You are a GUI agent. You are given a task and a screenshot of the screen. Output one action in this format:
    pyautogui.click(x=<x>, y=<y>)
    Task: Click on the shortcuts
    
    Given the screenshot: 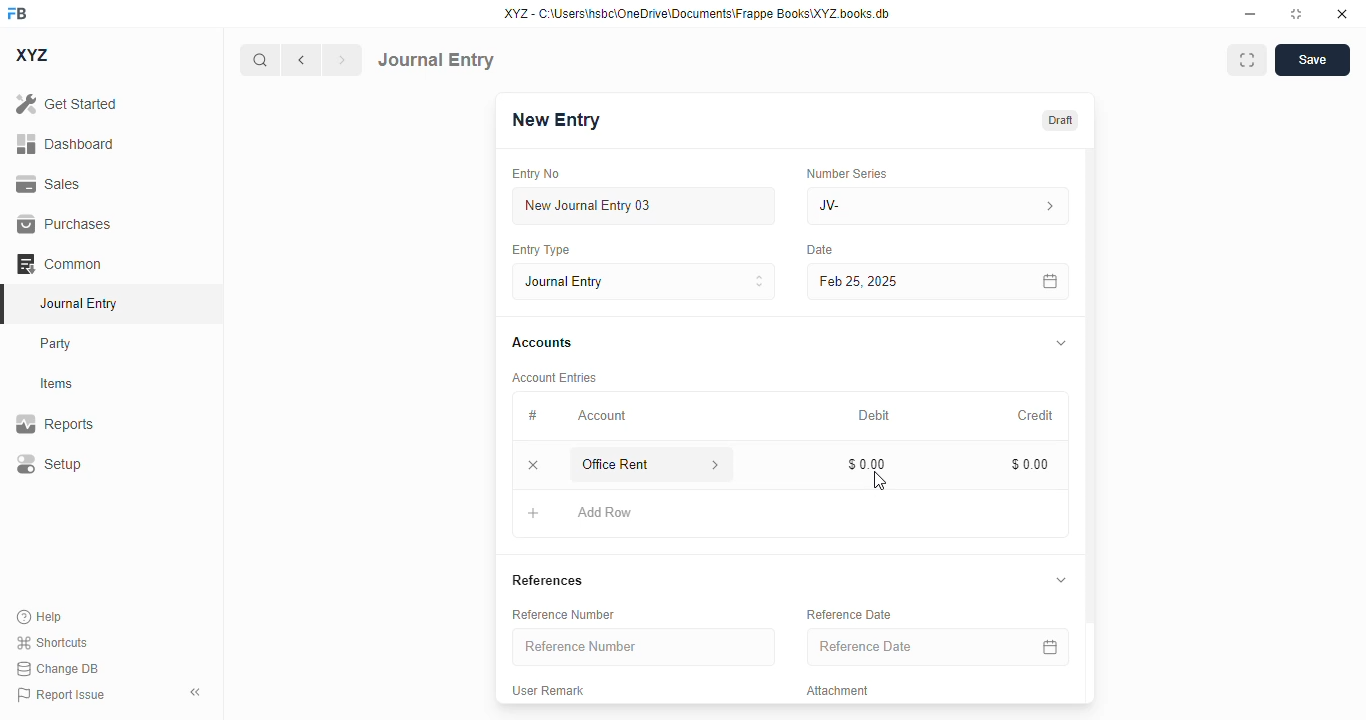 What is the action you would take?
    pyautogui.click(x=51, y=642)
    